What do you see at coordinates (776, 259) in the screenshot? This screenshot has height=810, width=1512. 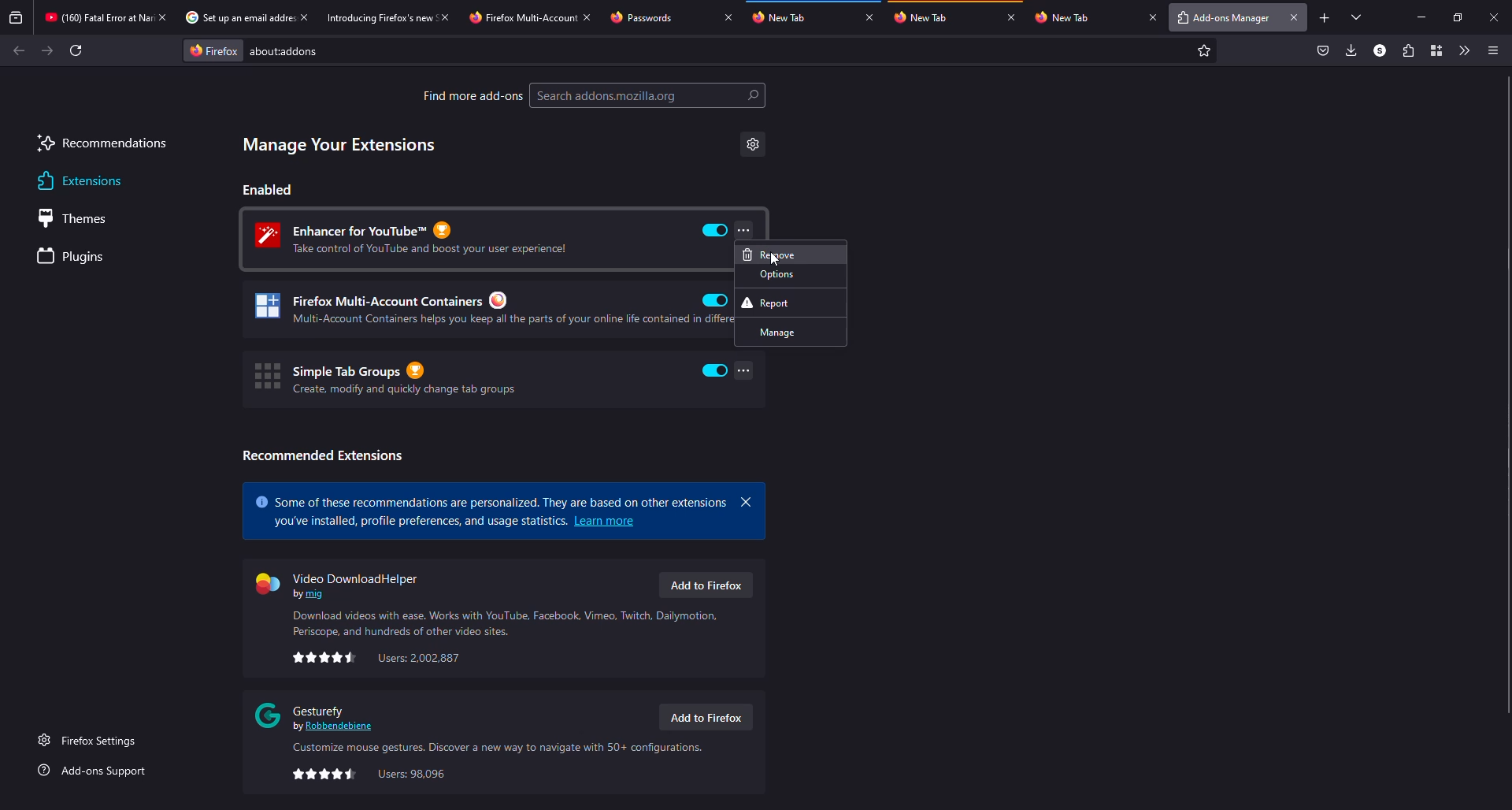 I see `Cursor` at bounding box center [776, 259].